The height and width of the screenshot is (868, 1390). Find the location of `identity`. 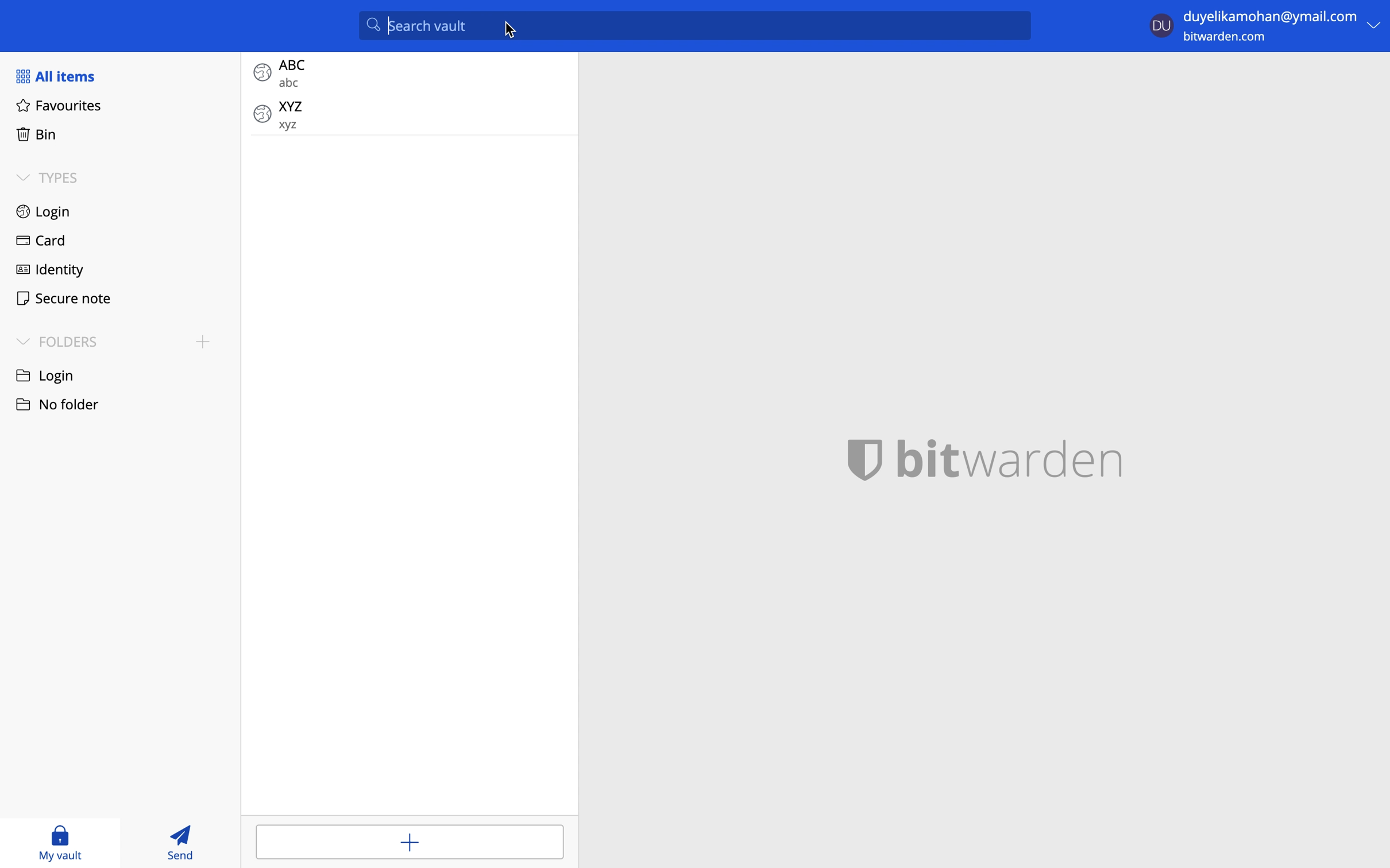

identity is located at coordinates (51, 270).